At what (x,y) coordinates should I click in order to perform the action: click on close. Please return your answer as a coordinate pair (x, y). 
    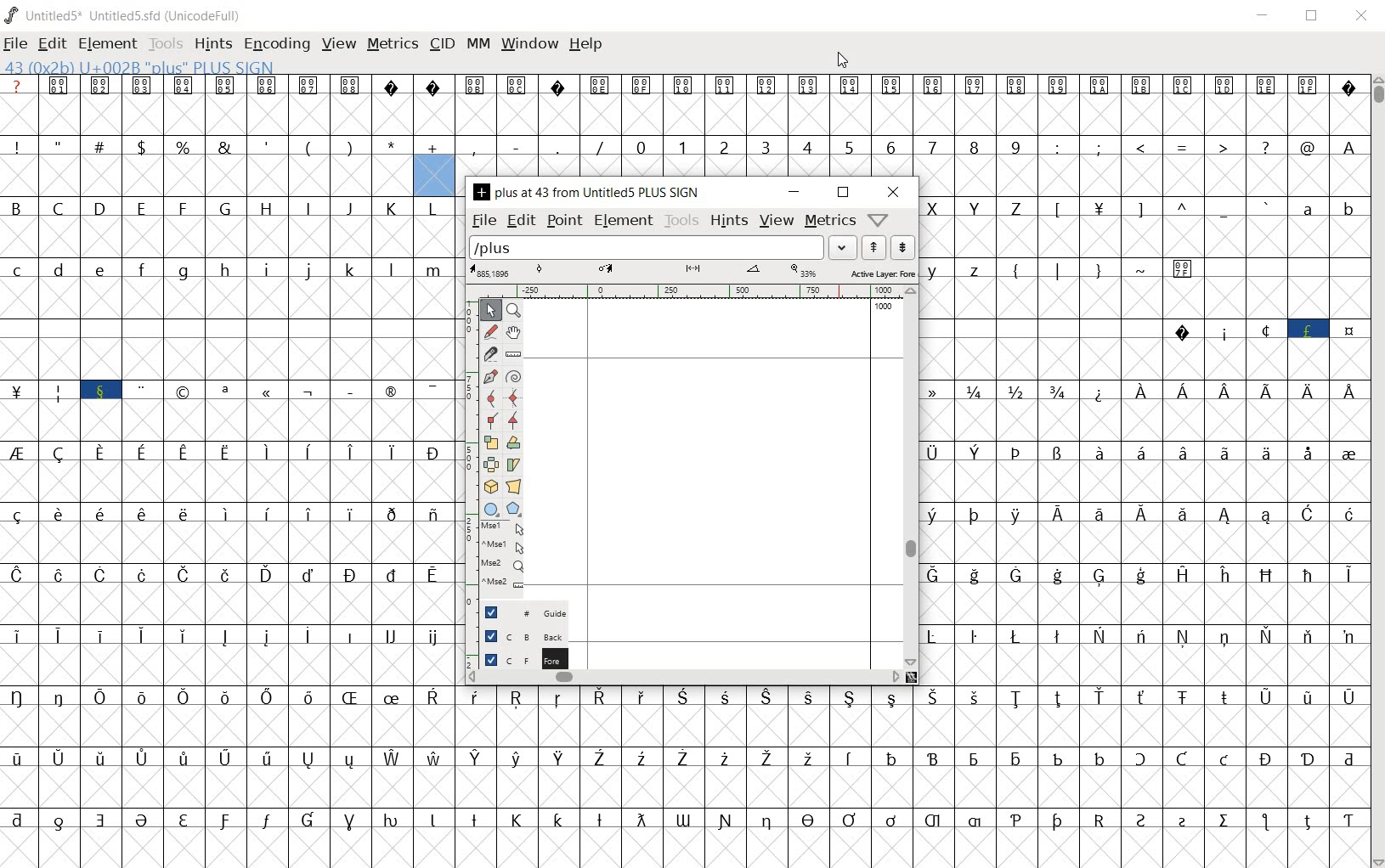
    Looking at the image, I should click on (895, 191).